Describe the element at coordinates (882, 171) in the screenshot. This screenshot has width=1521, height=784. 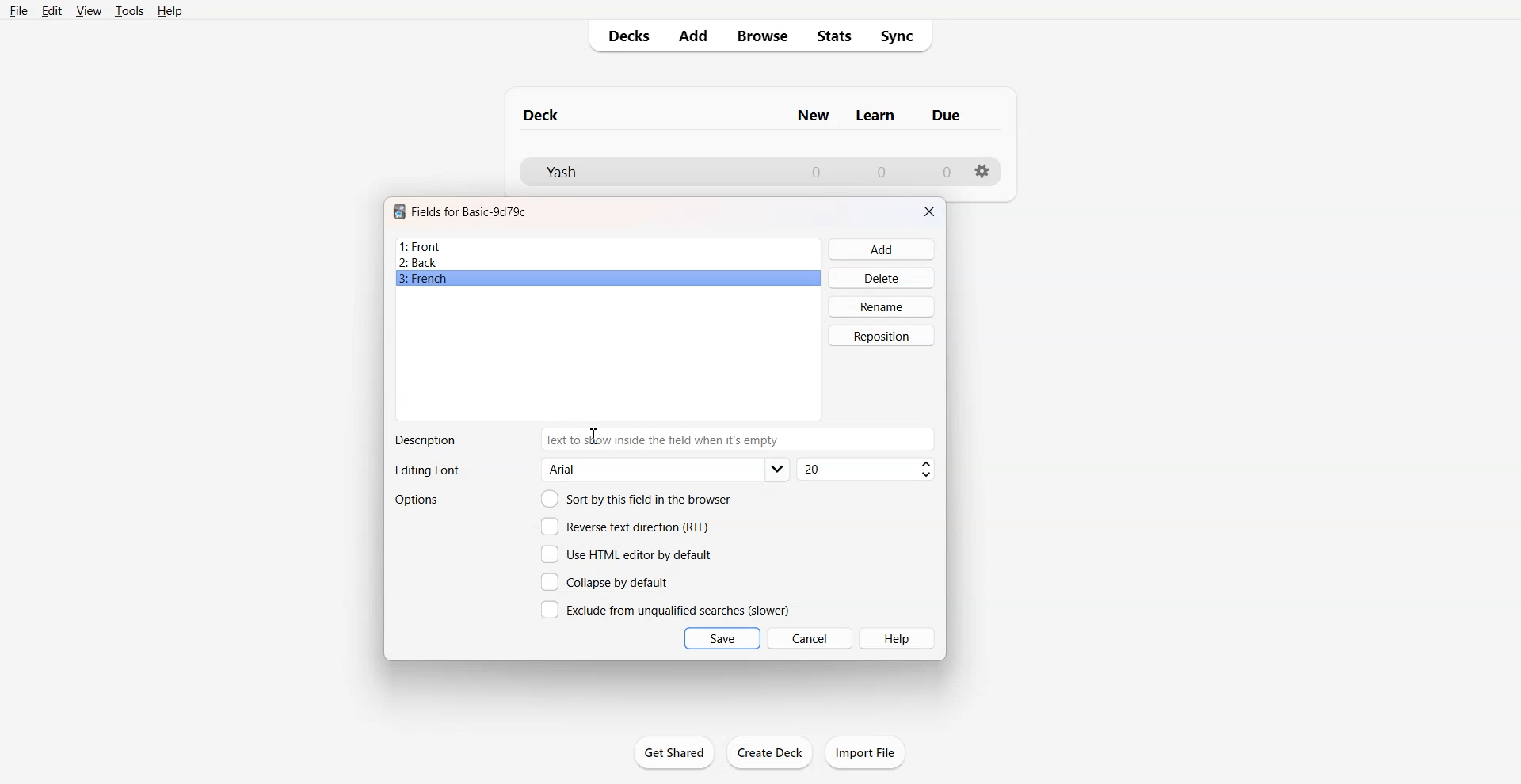
I see `Number of Learn cards` at that location.